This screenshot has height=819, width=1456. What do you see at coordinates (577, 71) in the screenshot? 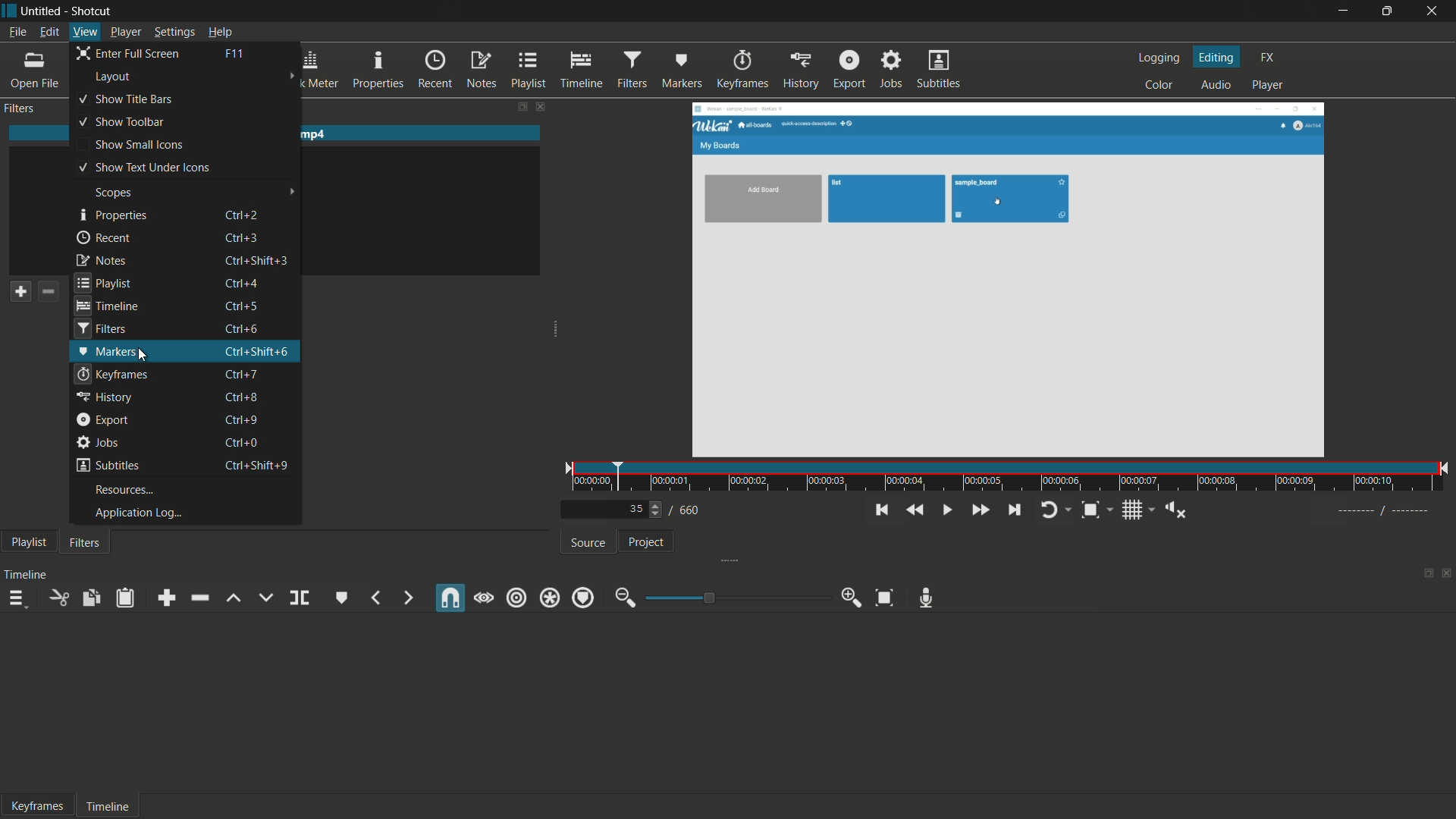
I see `timeline` at bounding box center [577, 71].